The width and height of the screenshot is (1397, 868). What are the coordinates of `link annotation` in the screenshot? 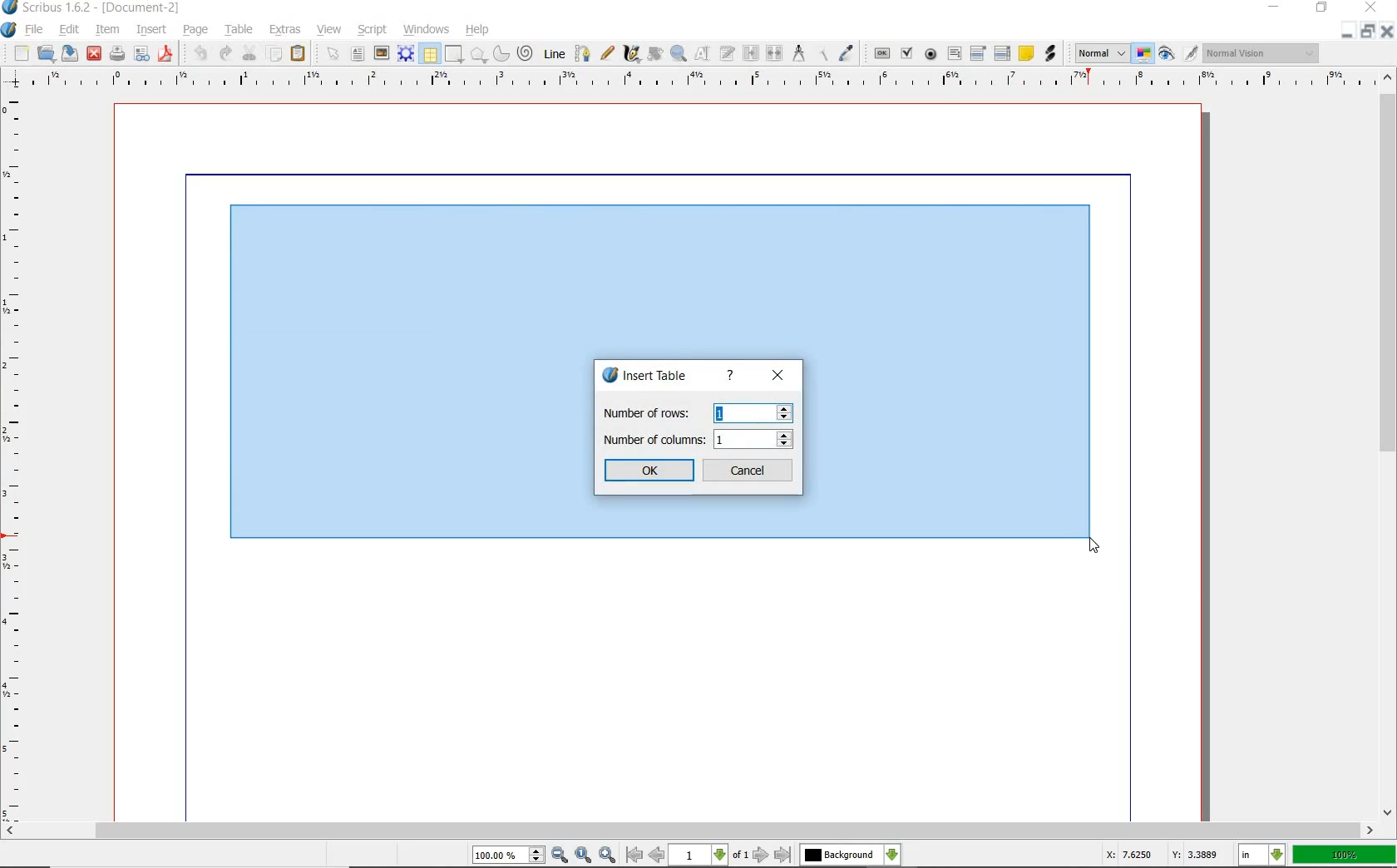 It's located at (1054, 54).